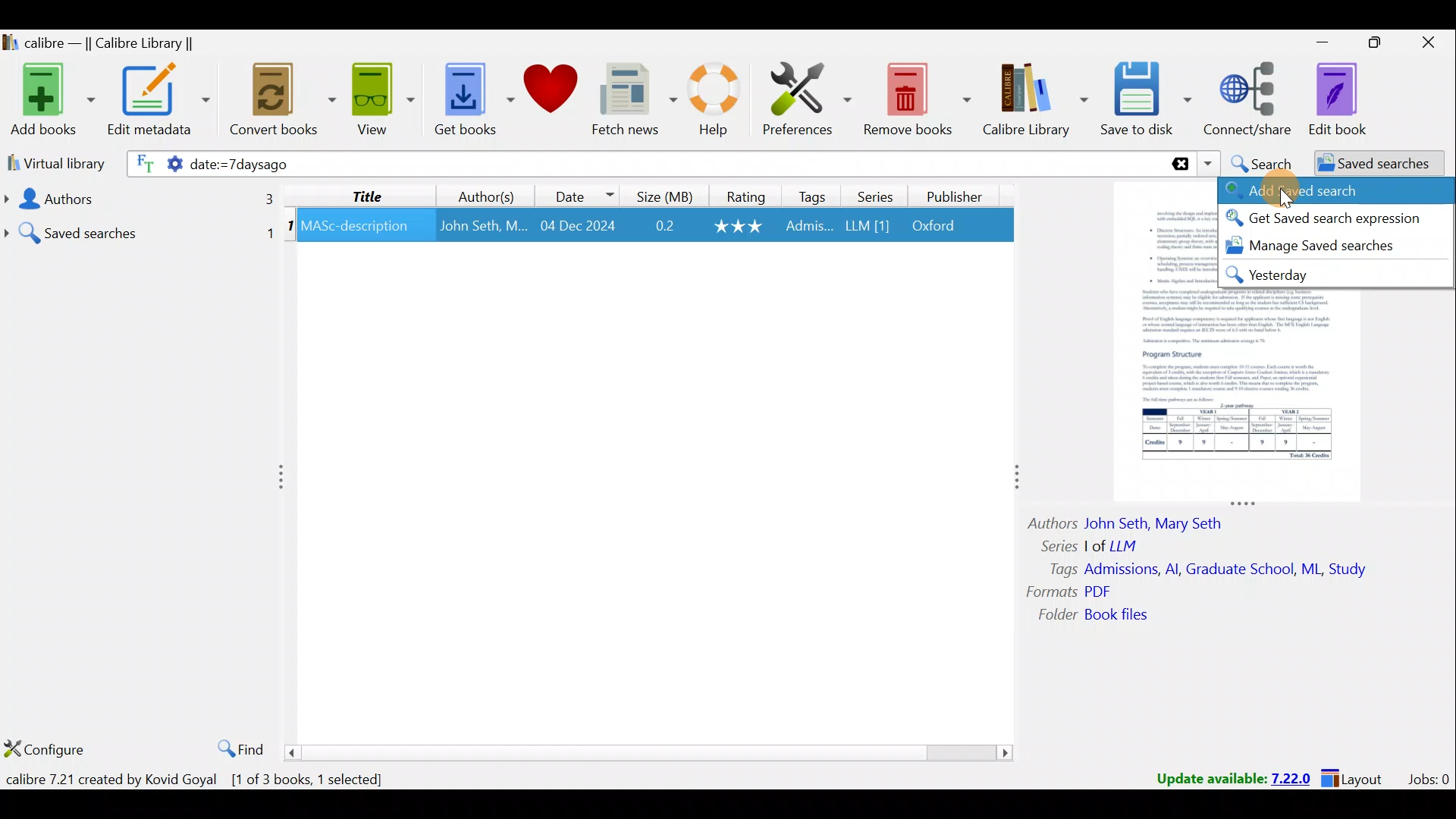  I want to click on Rating, so click(742, 195).